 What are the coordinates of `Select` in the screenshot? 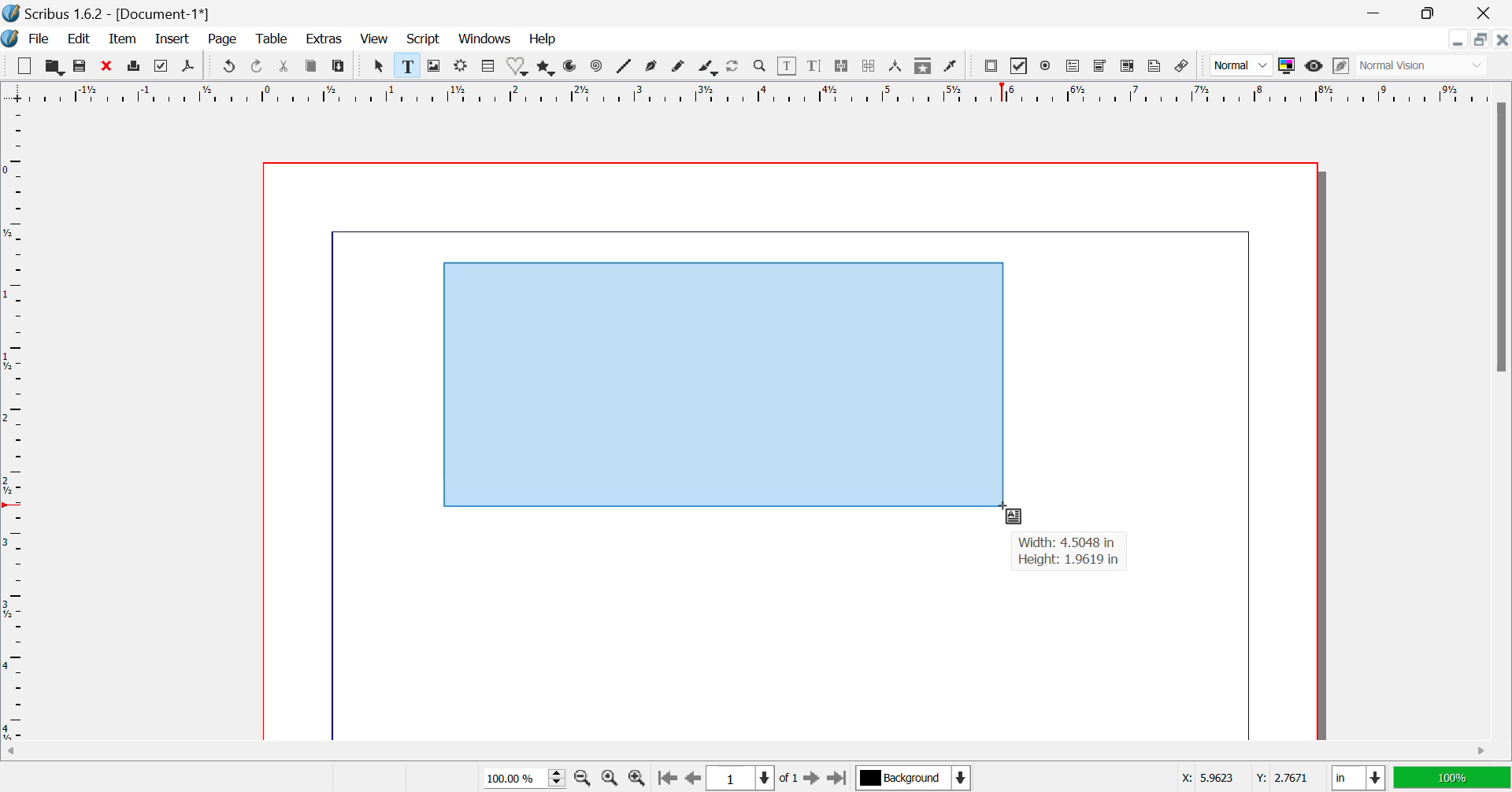 It's located at (379, 65).